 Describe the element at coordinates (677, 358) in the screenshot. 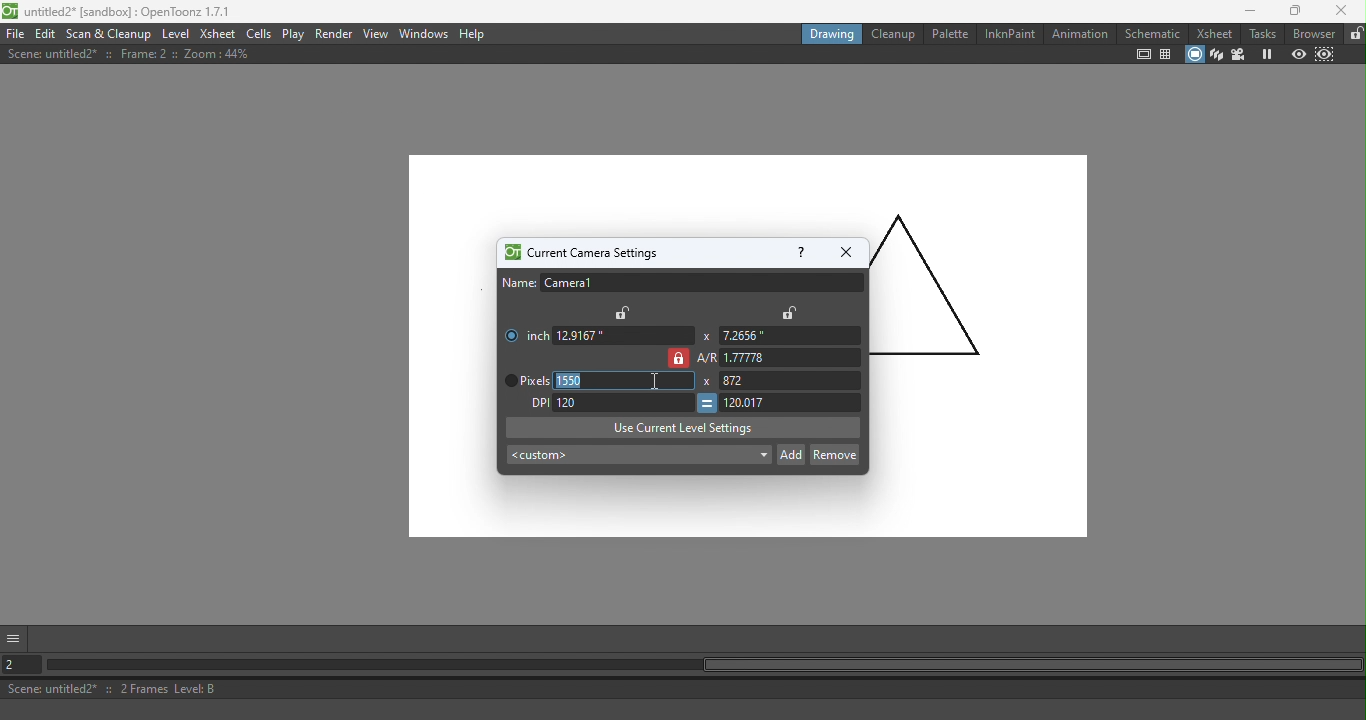

I see `Lock/Unlock aspect ratio` at that location.